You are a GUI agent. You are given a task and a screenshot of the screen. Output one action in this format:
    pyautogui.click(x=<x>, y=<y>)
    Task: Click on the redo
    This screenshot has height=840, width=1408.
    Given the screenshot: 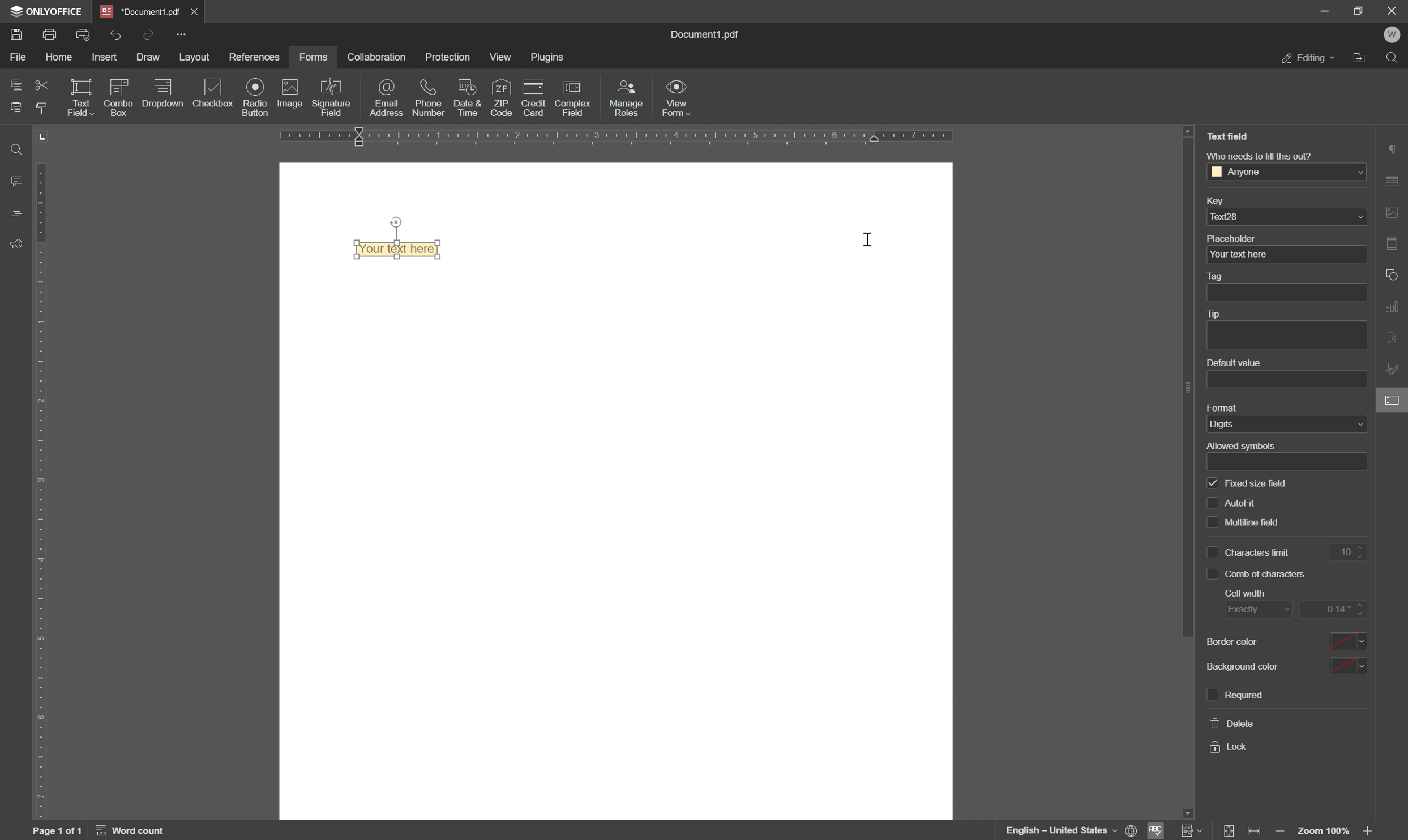 What is the action you would take?
    pyautogui.click(x=151, y=35)
    